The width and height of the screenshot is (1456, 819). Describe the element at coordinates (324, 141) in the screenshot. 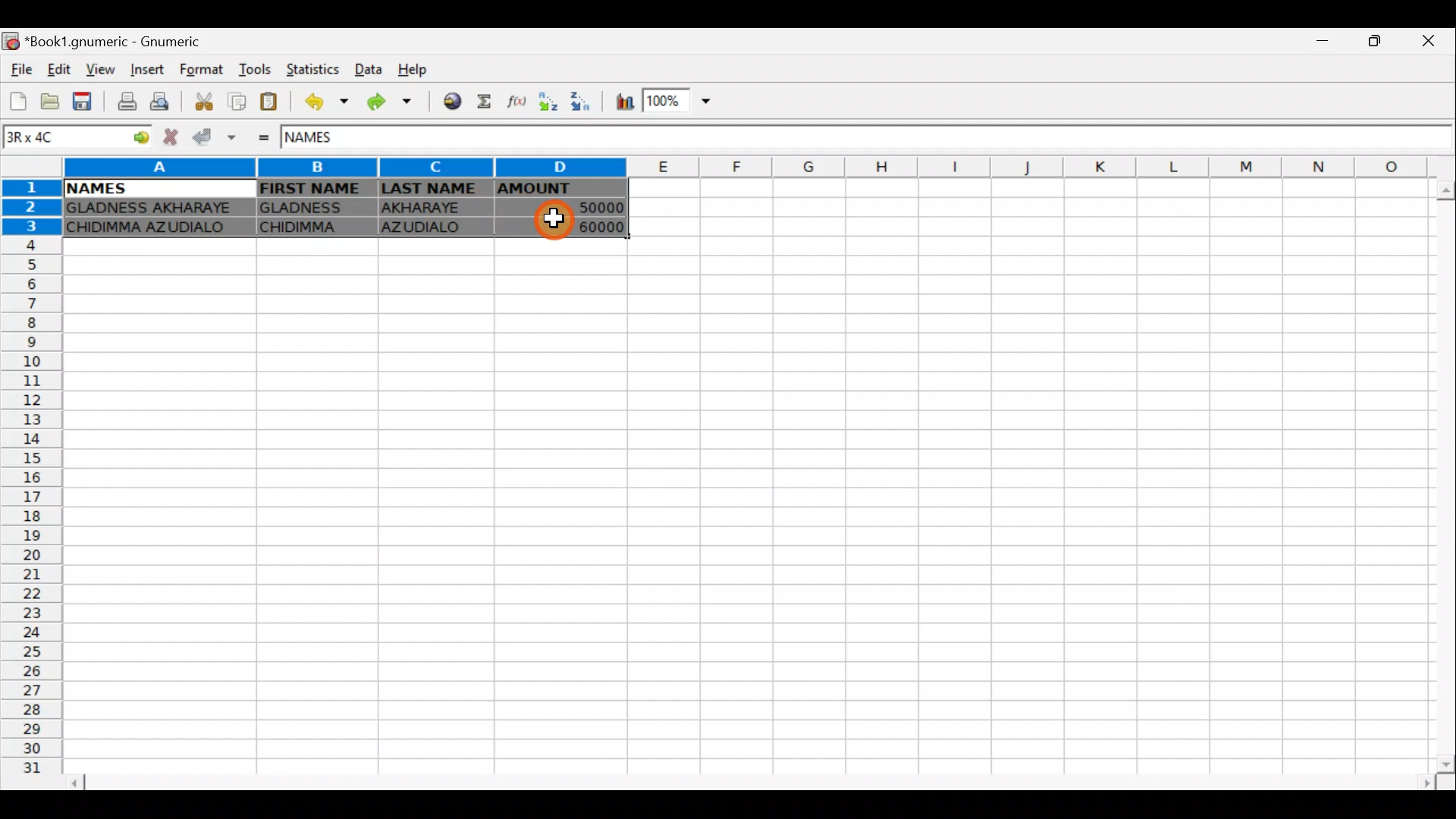

I see `NAMES` at that location.